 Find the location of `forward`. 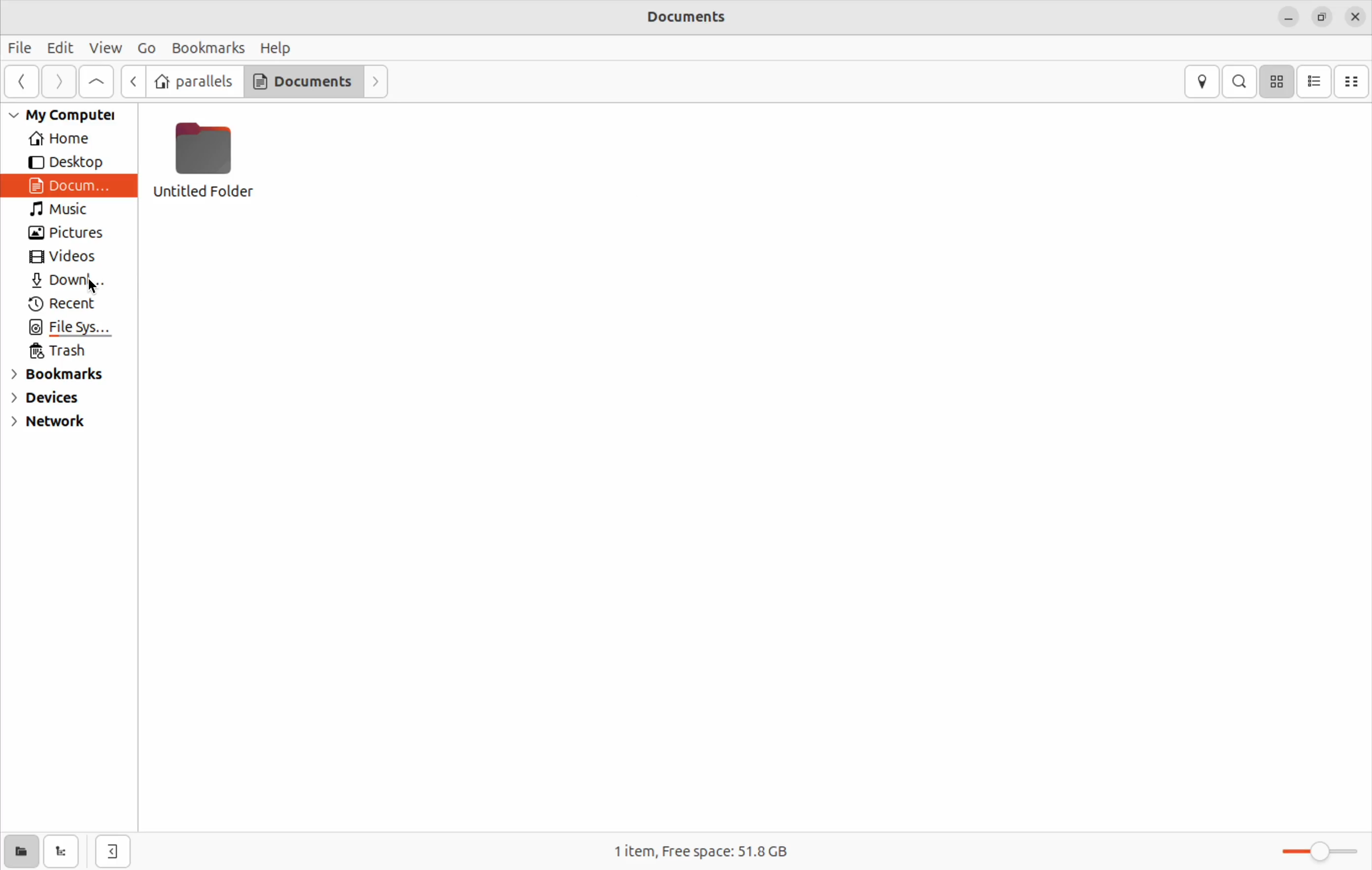

forward is located at coordinates (376, 82).